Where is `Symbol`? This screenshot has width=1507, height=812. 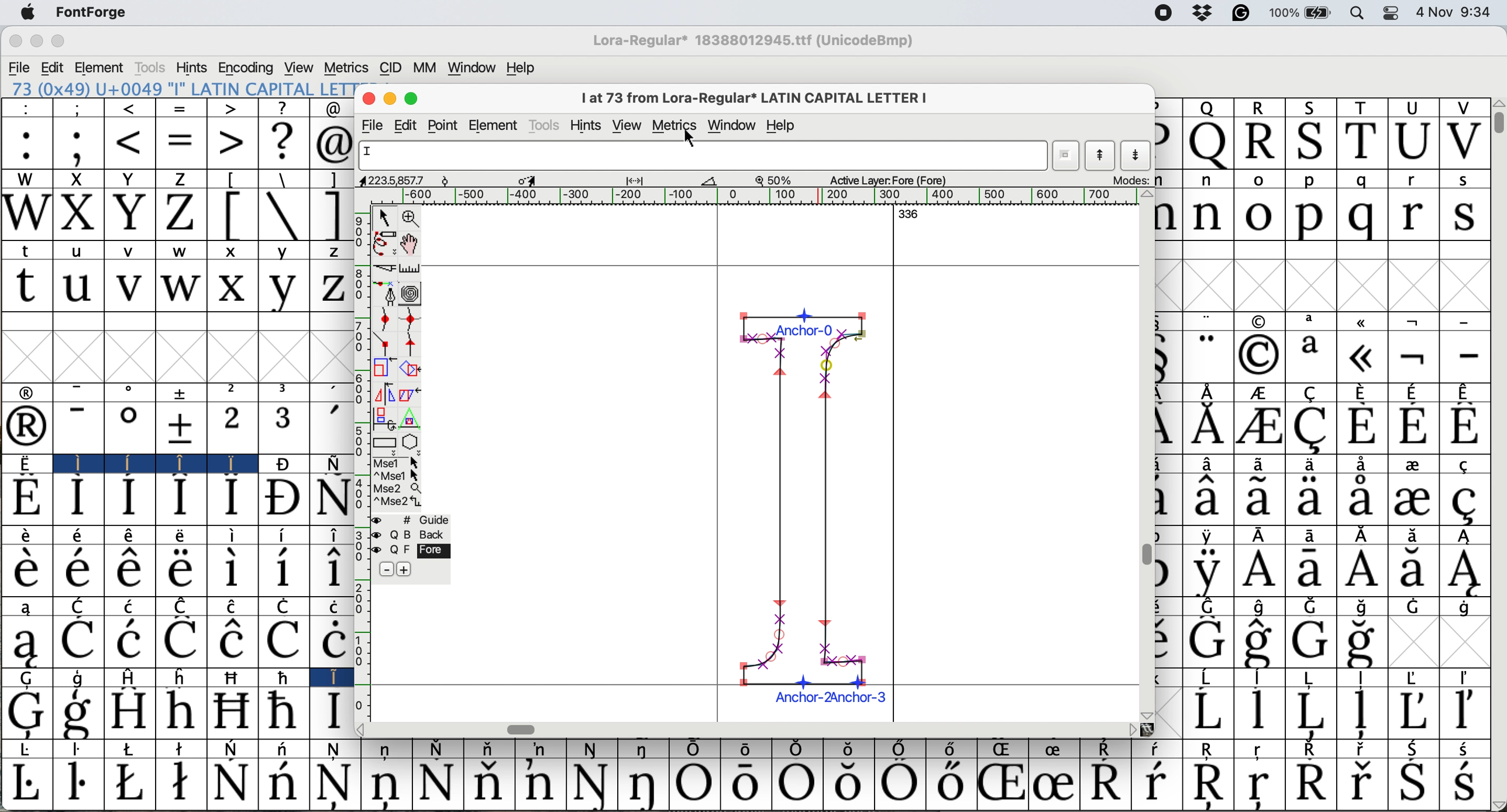
Symbol is located at coordinates (27, 428).